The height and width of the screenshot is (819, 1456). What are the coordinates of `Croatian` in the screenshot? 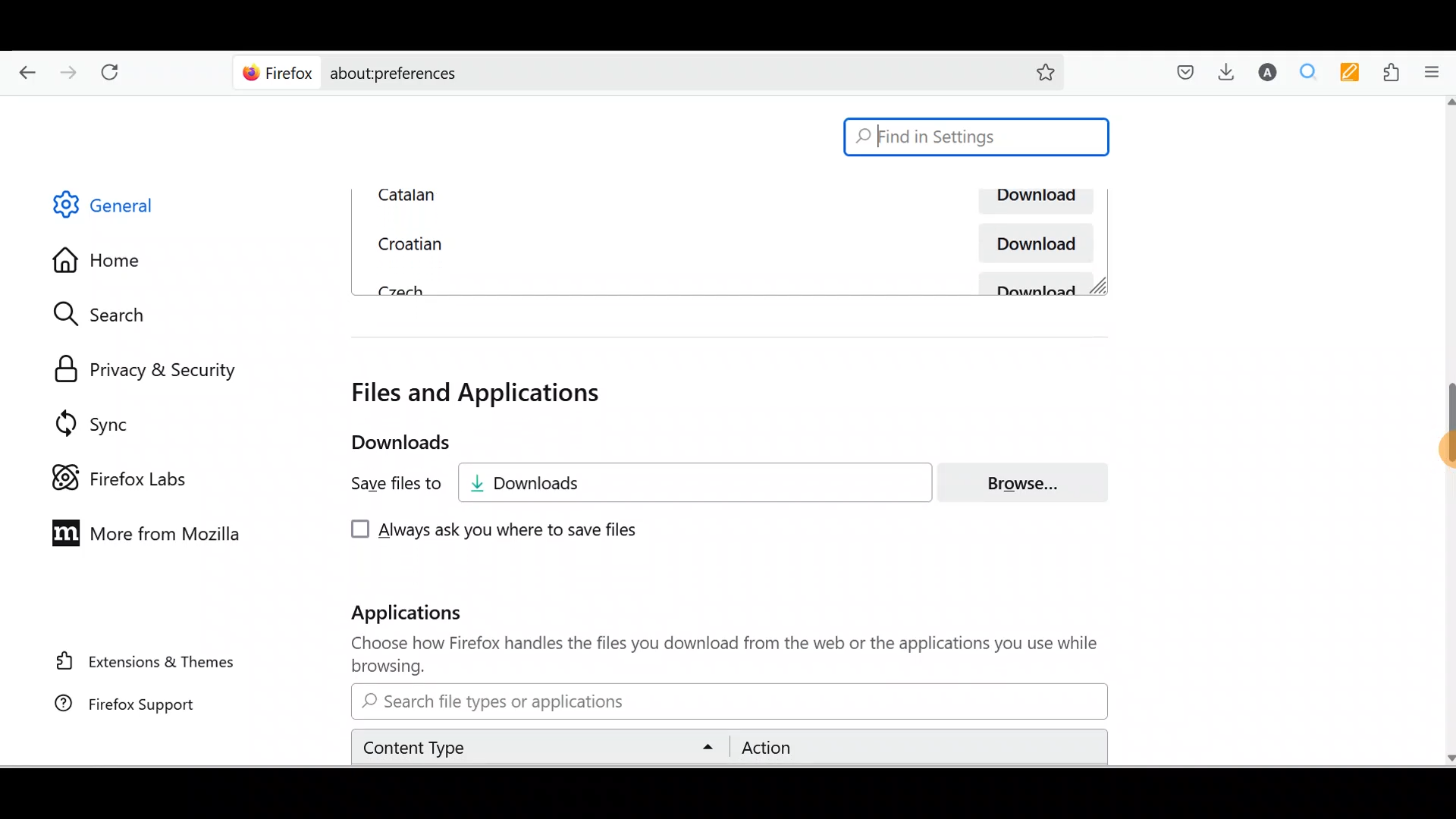 It's located at (406, 241).